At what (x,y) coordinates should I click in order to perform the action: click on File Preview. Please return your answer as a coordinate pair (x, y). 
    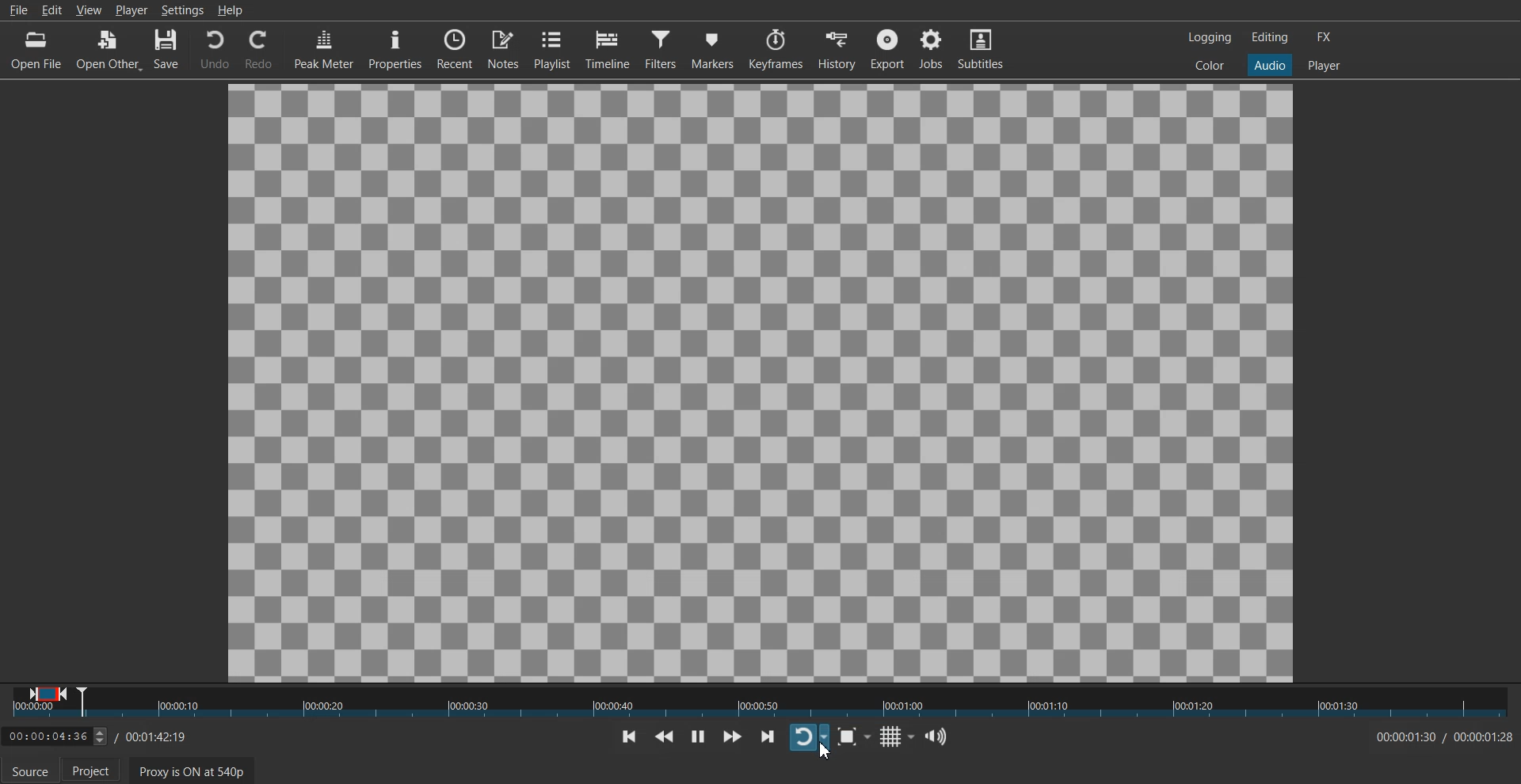
    Looking at the image, I should click on (760, 381).